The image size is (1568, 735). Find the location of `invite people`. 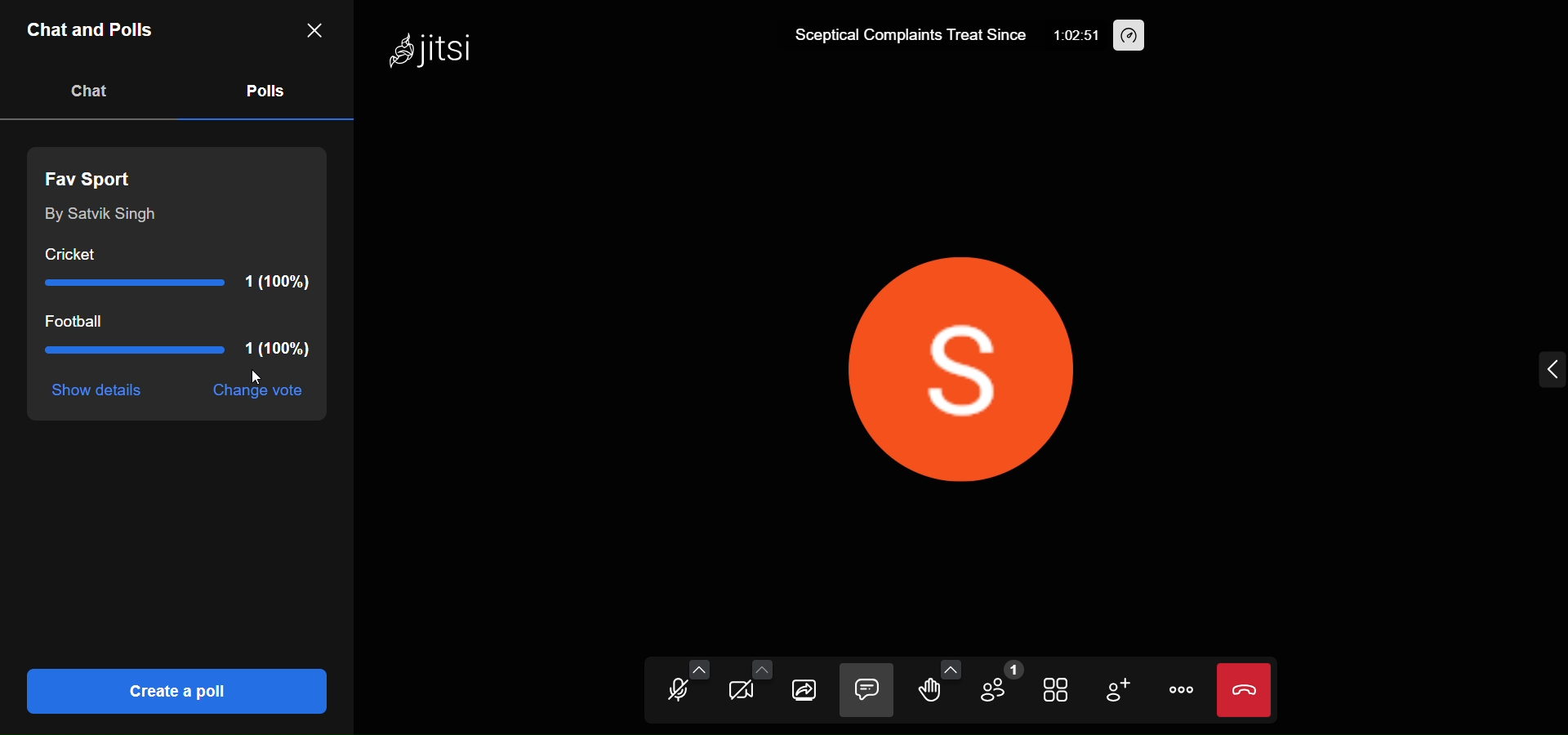

invite people is located at coordinates (1117, 691).